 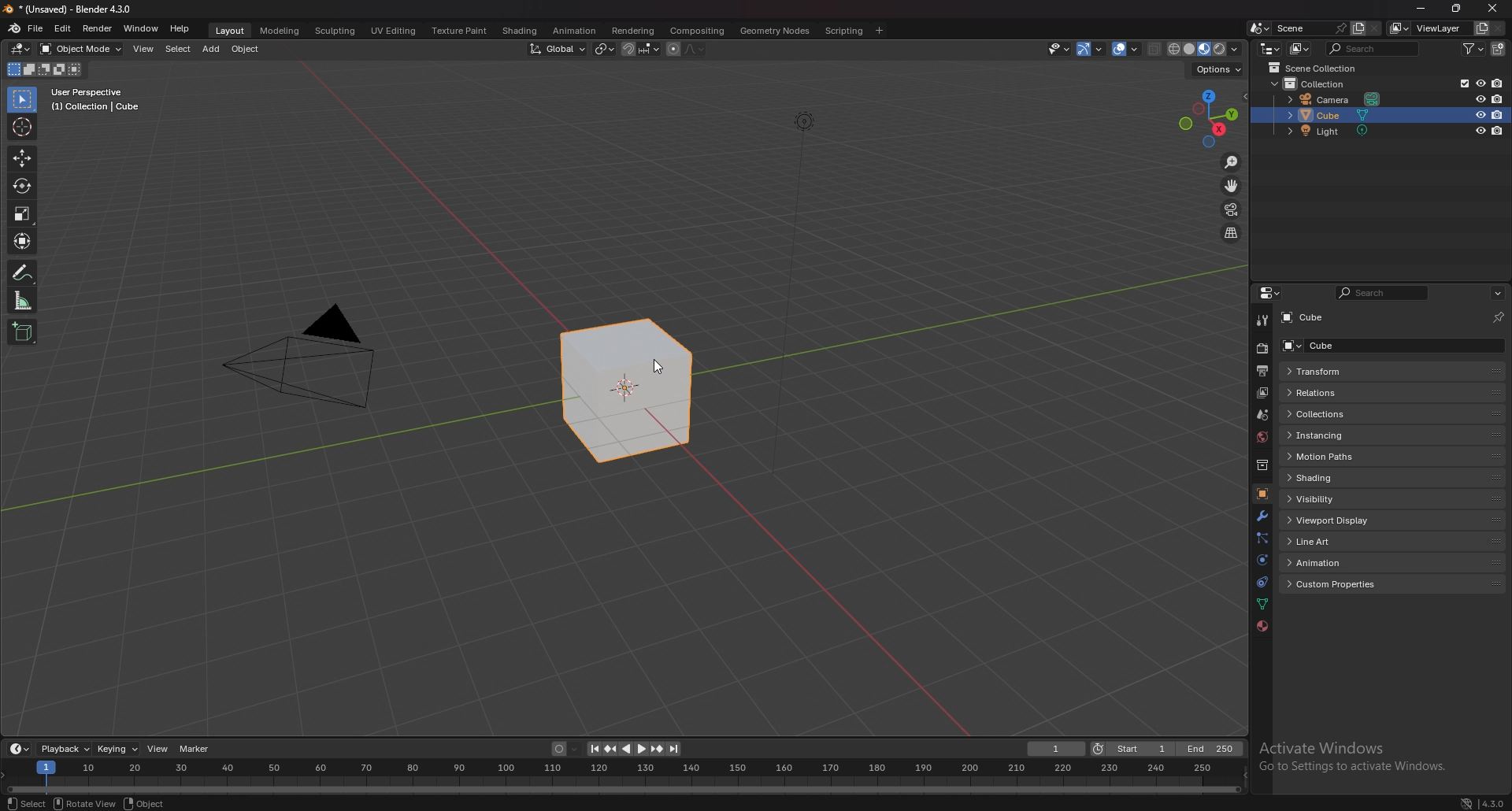 What do you see at coordinates (1309, 318) in the screenshot?
I see `cube` at bounding box center [1309, 318].